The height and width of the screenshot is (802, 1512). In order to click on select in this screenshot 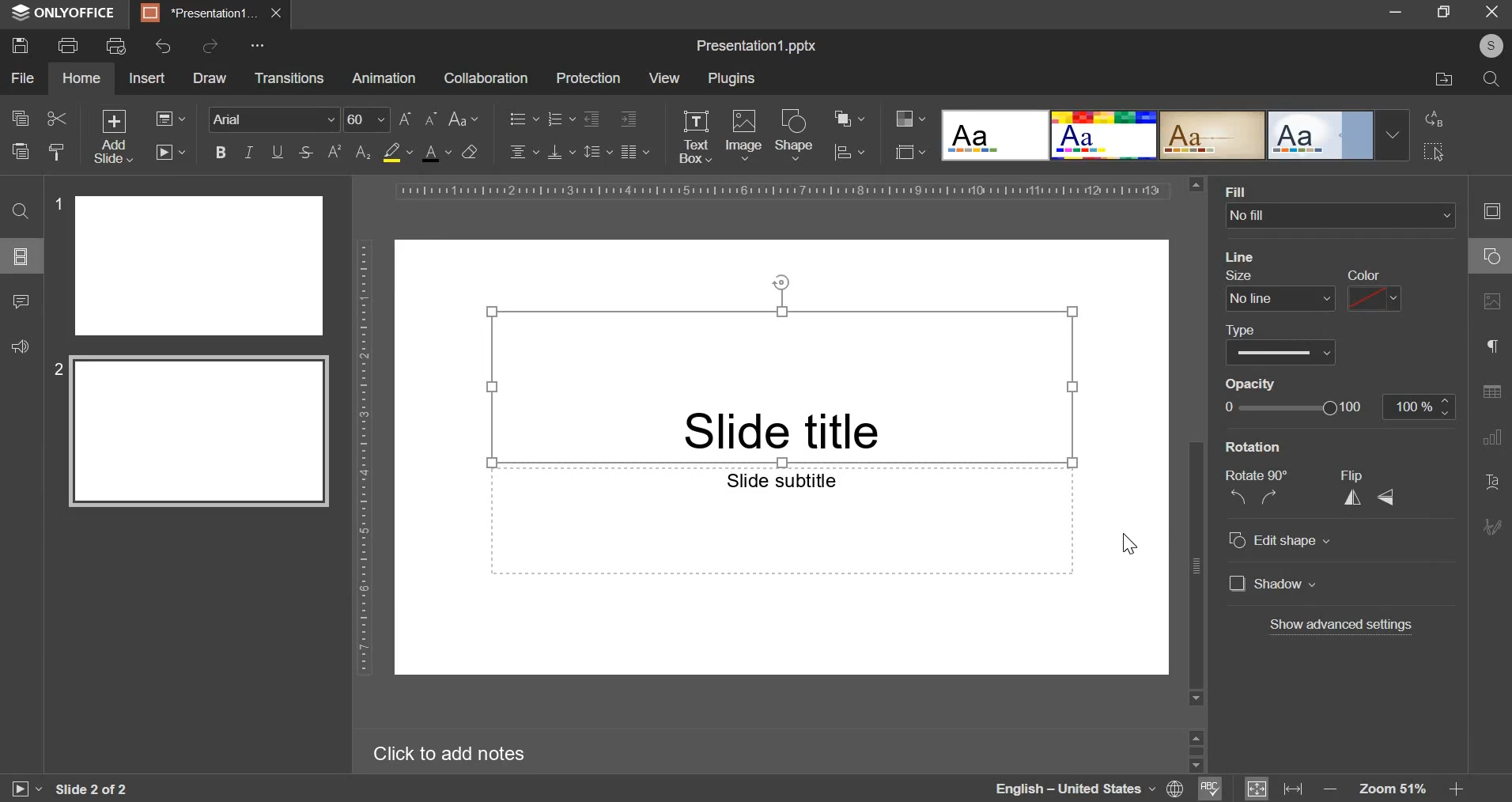, I will do `click(1435, 151)`.